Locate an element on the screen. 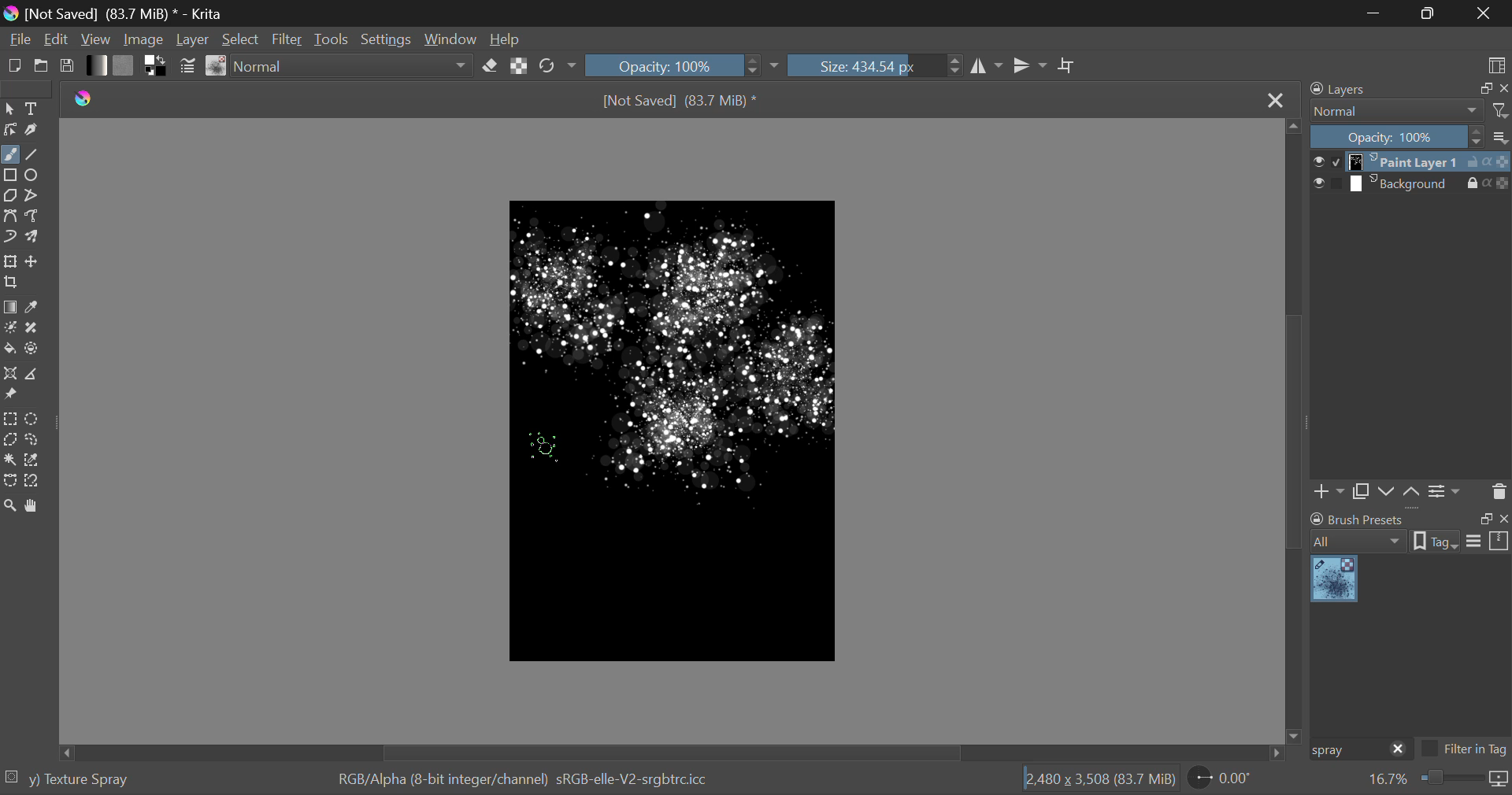 The height and width of the screenshot is (795, 1512). actions is located at coordinates (1488, 162).